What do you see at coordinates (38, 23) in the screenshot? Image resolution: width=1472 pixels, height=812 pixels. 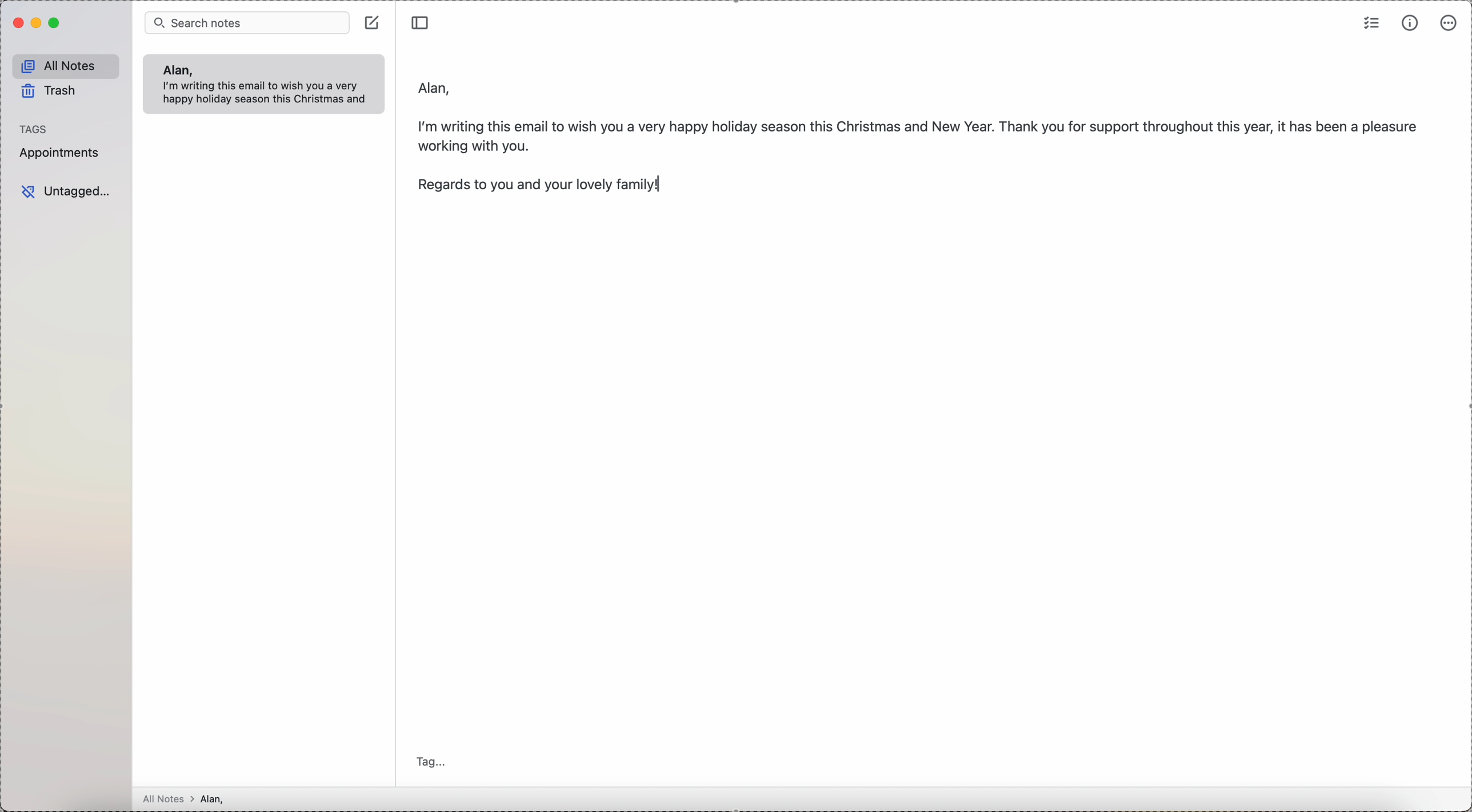 I see `minimize Simplenote` at bounding box center [38, 23].